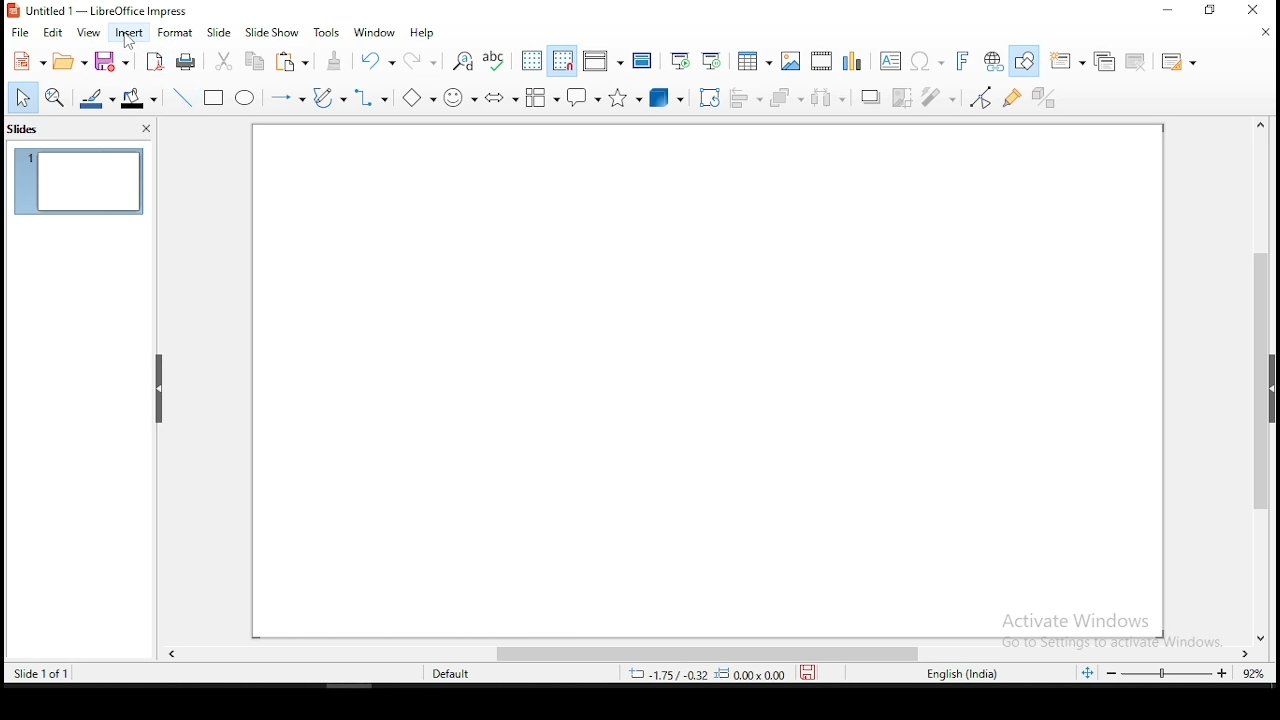 This screenshot has height=720, width=1280. Describe the element at coordinates (542, 96) in the screenshot. I see `flowchart` at that location.